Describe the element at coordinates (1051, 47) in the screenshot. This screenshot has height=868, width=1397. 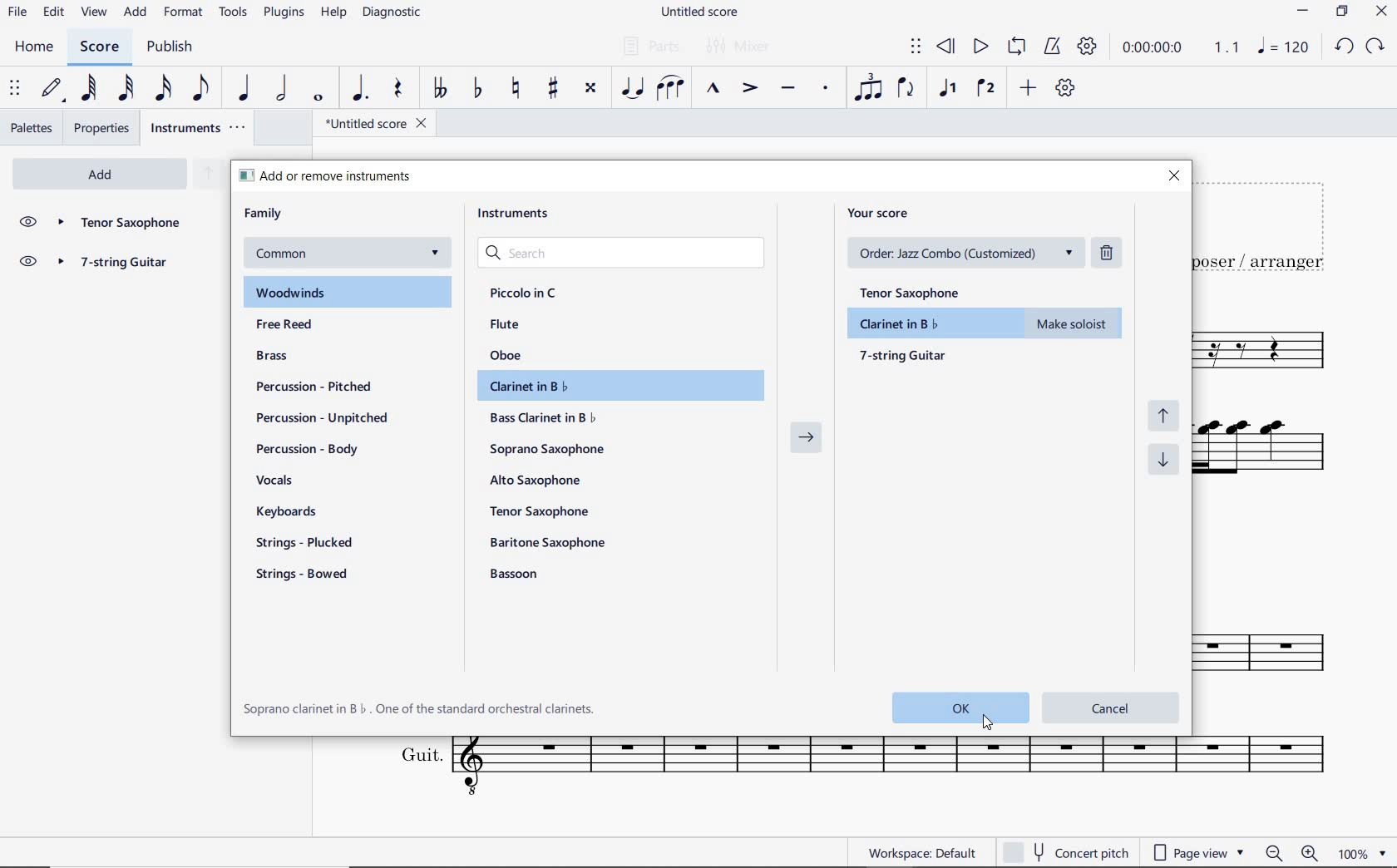
I see `METRONOME` at that location.